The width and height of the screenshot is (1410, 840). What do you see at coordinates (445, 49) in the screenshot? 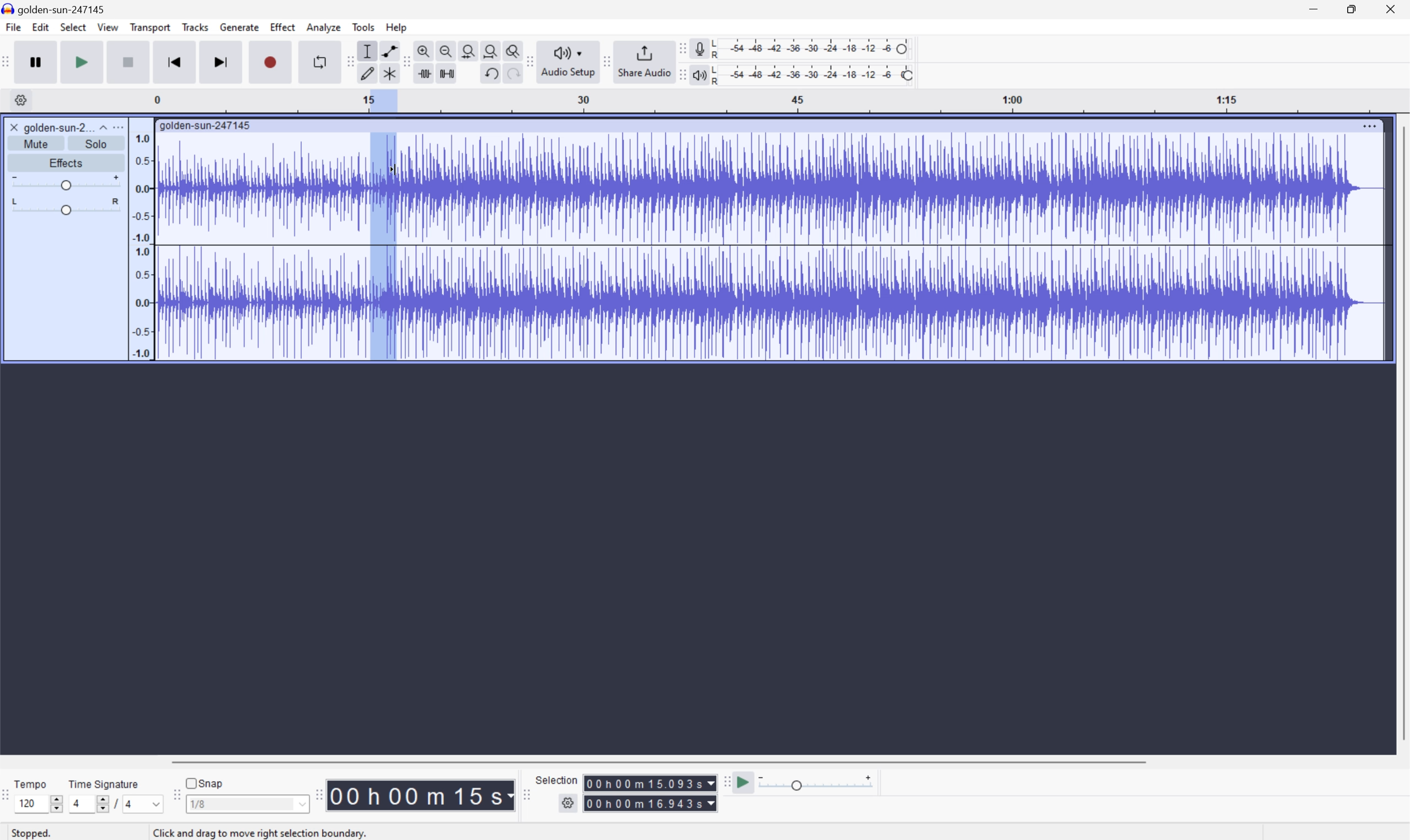
I see `Zoom out` at bounding box center [445, 49].